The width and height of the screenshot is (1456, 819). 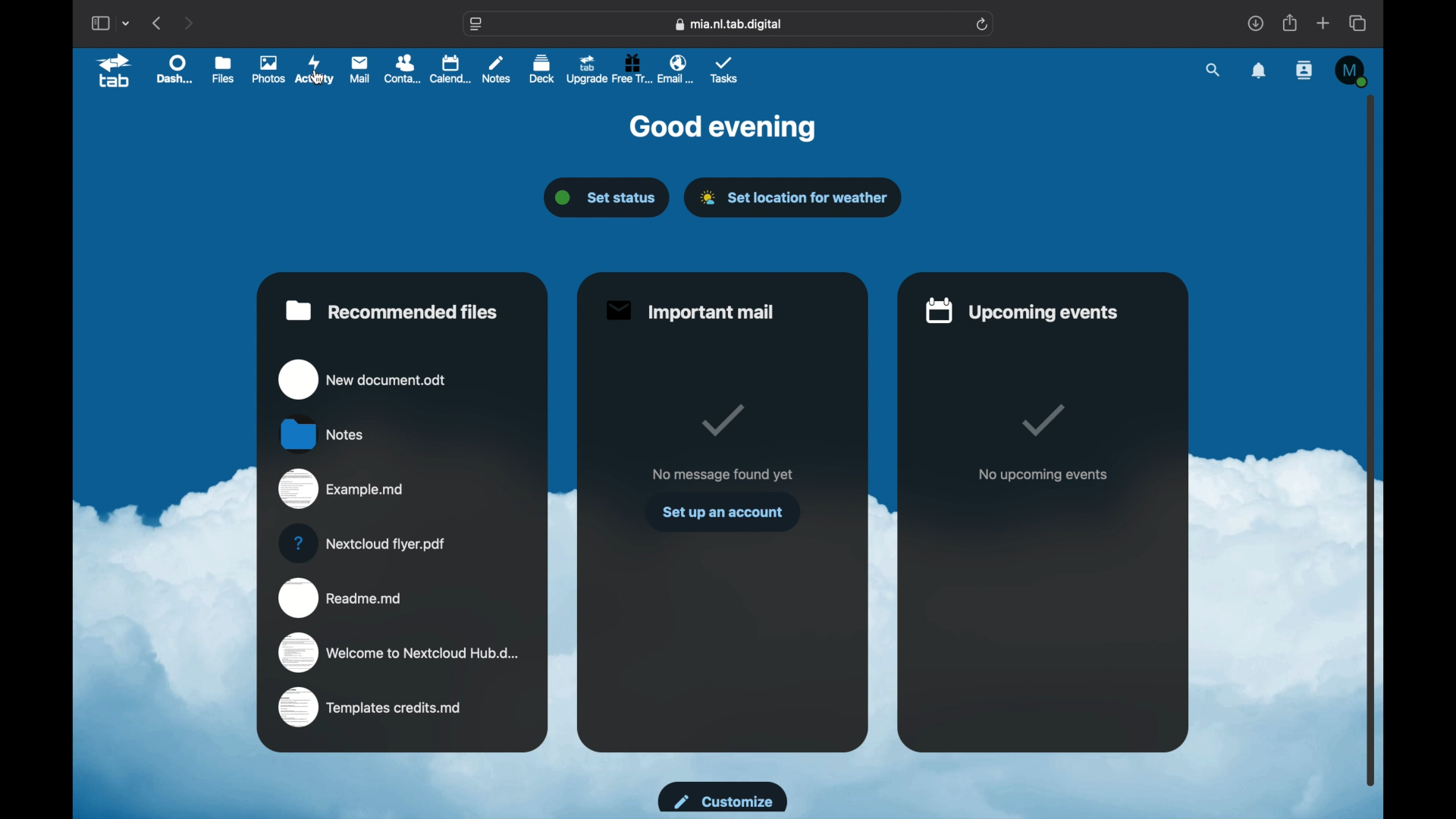 I want to click on templates, so click(x=372, y=706).